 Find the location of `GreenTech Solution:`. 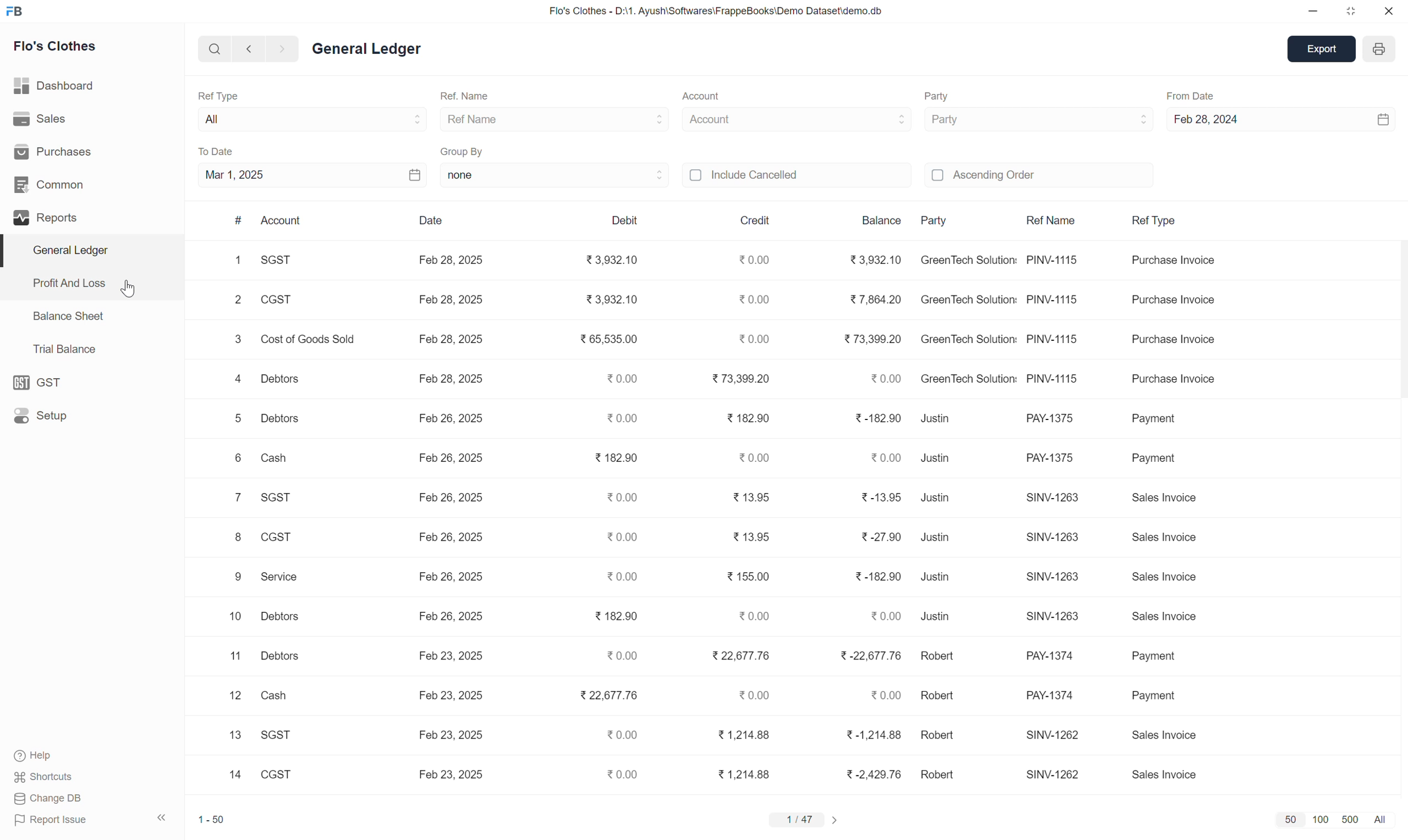

GreenTech Solution: is located at coordinates (968, 301).